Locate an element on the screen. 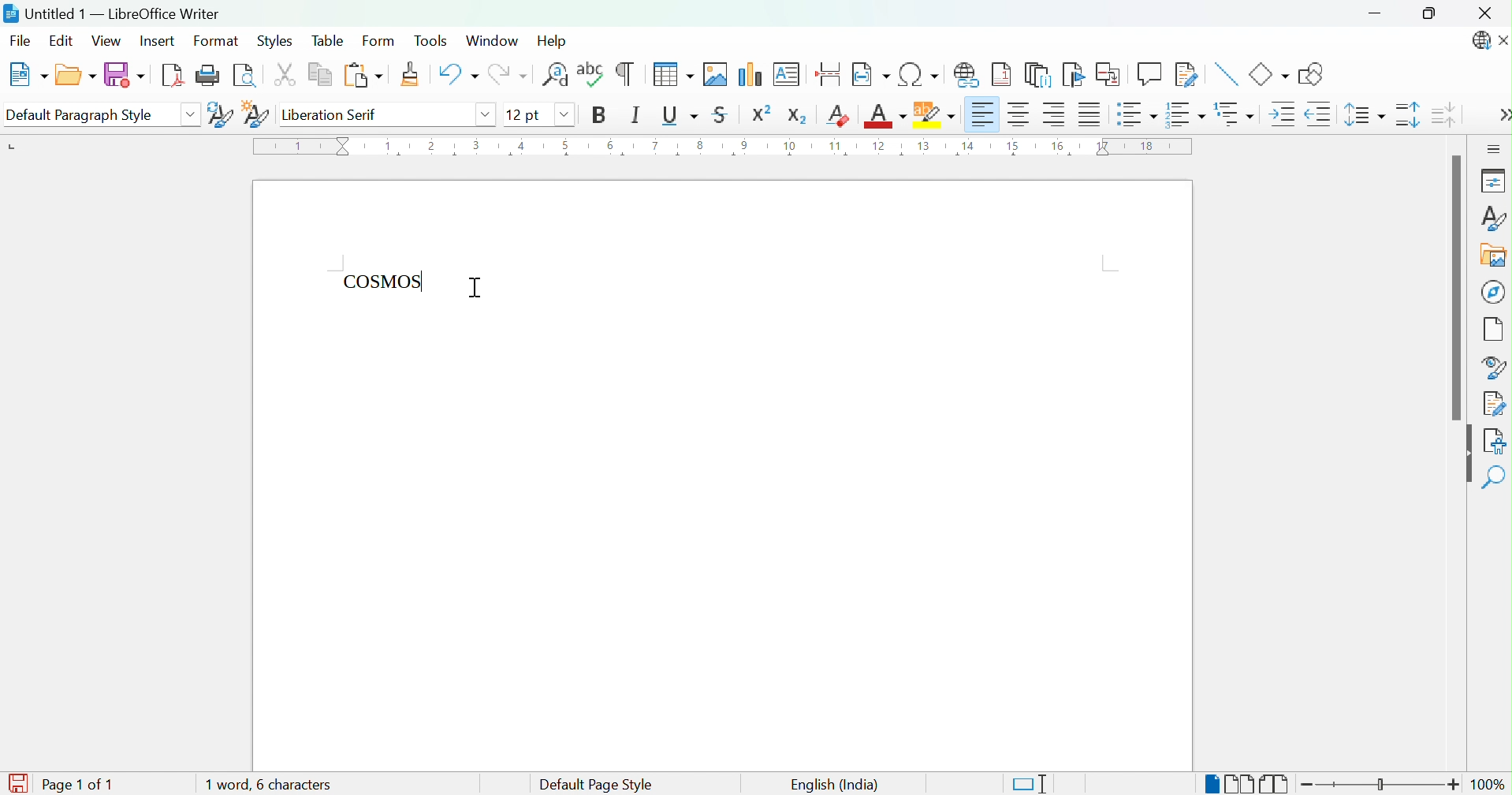 Image resolution: width=1512 pixels, height=795 pixels. Insert Text Box is located at coordinates (788, 72).